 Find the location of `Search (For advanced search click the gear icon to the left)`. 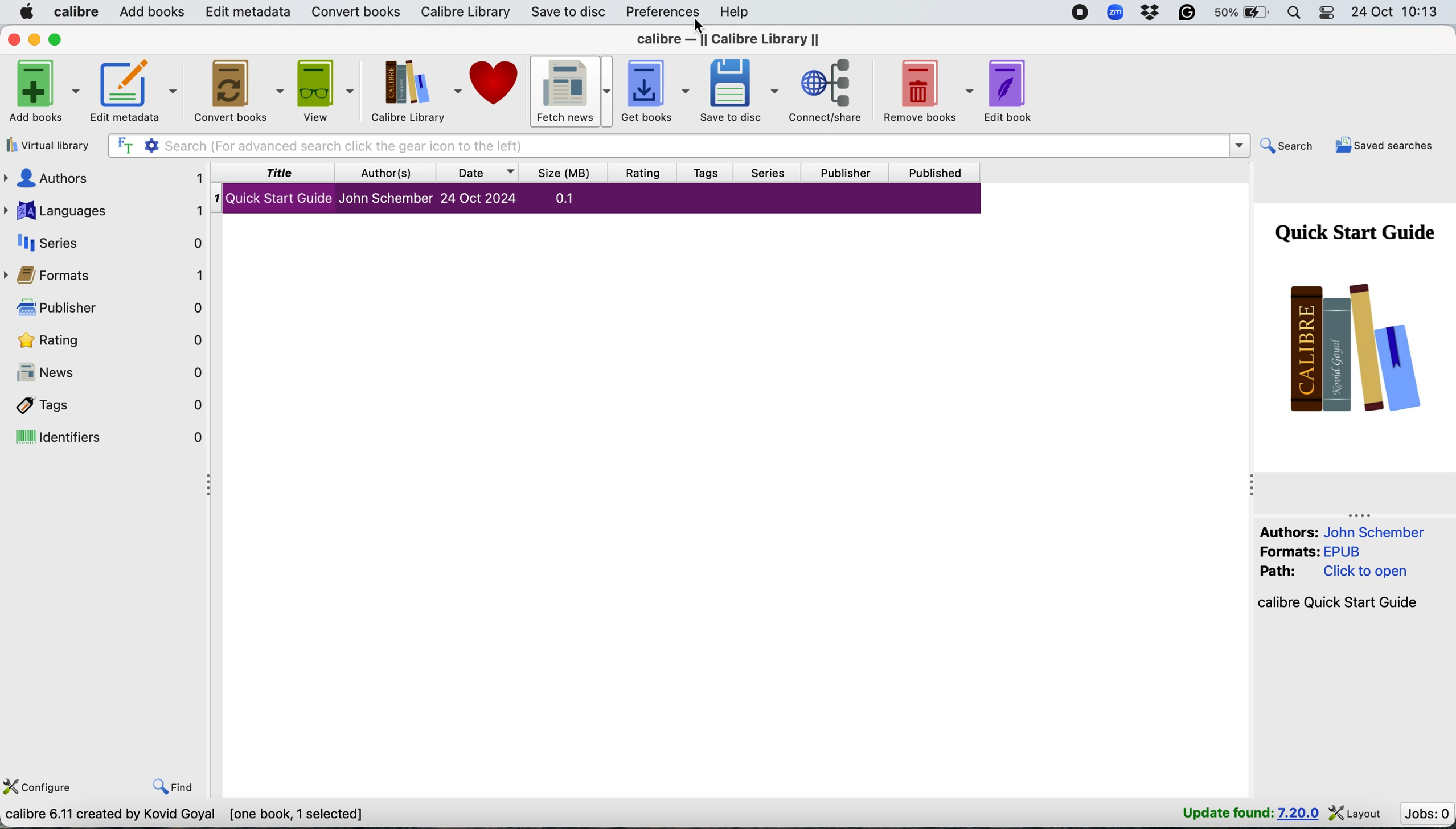

Search (For advanced search click the gear icon to the left) is located at coordinates (708, 146).